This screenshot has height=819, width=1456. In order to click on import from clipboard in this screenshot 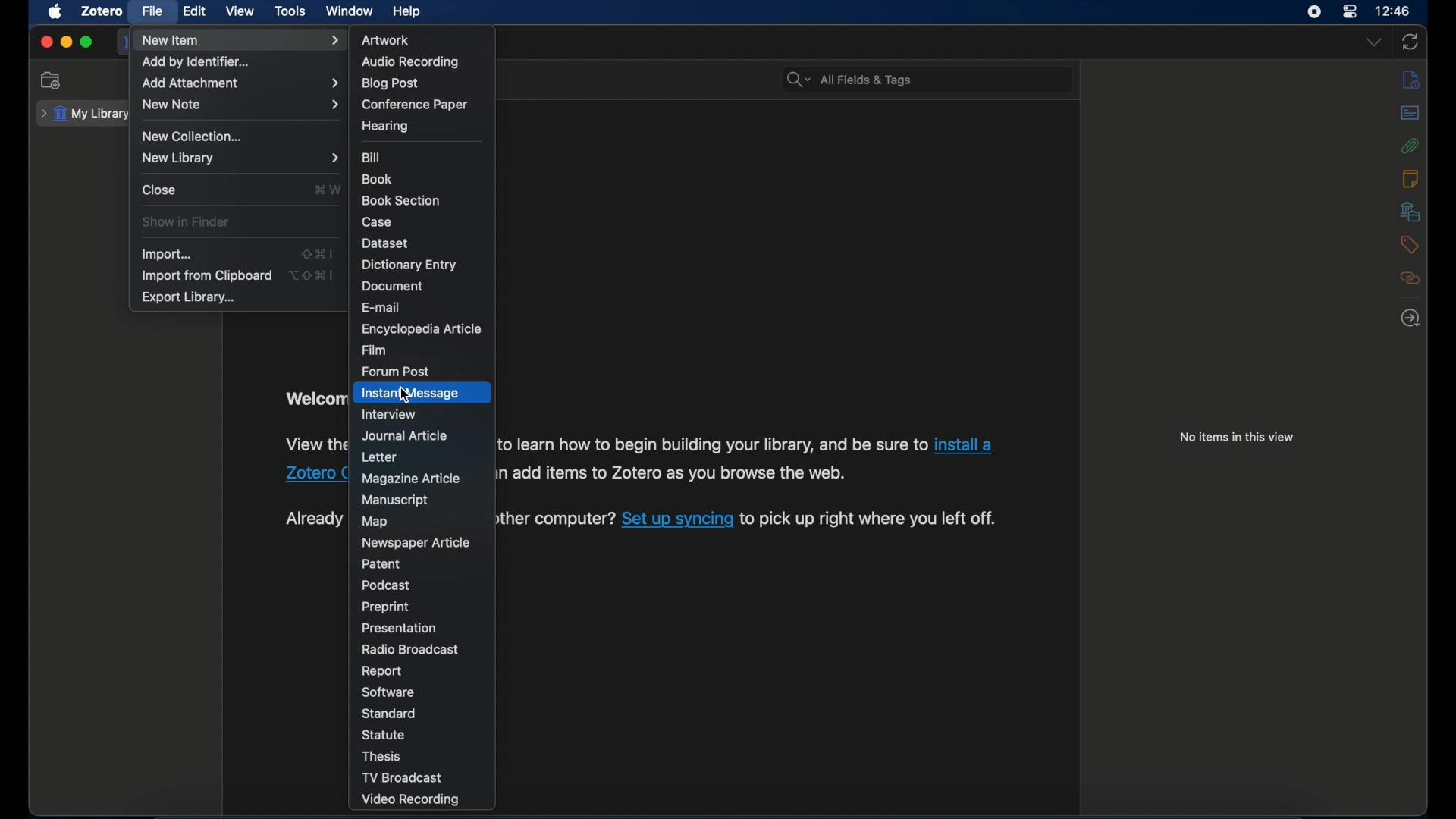, I will do `click(206, 276)`.